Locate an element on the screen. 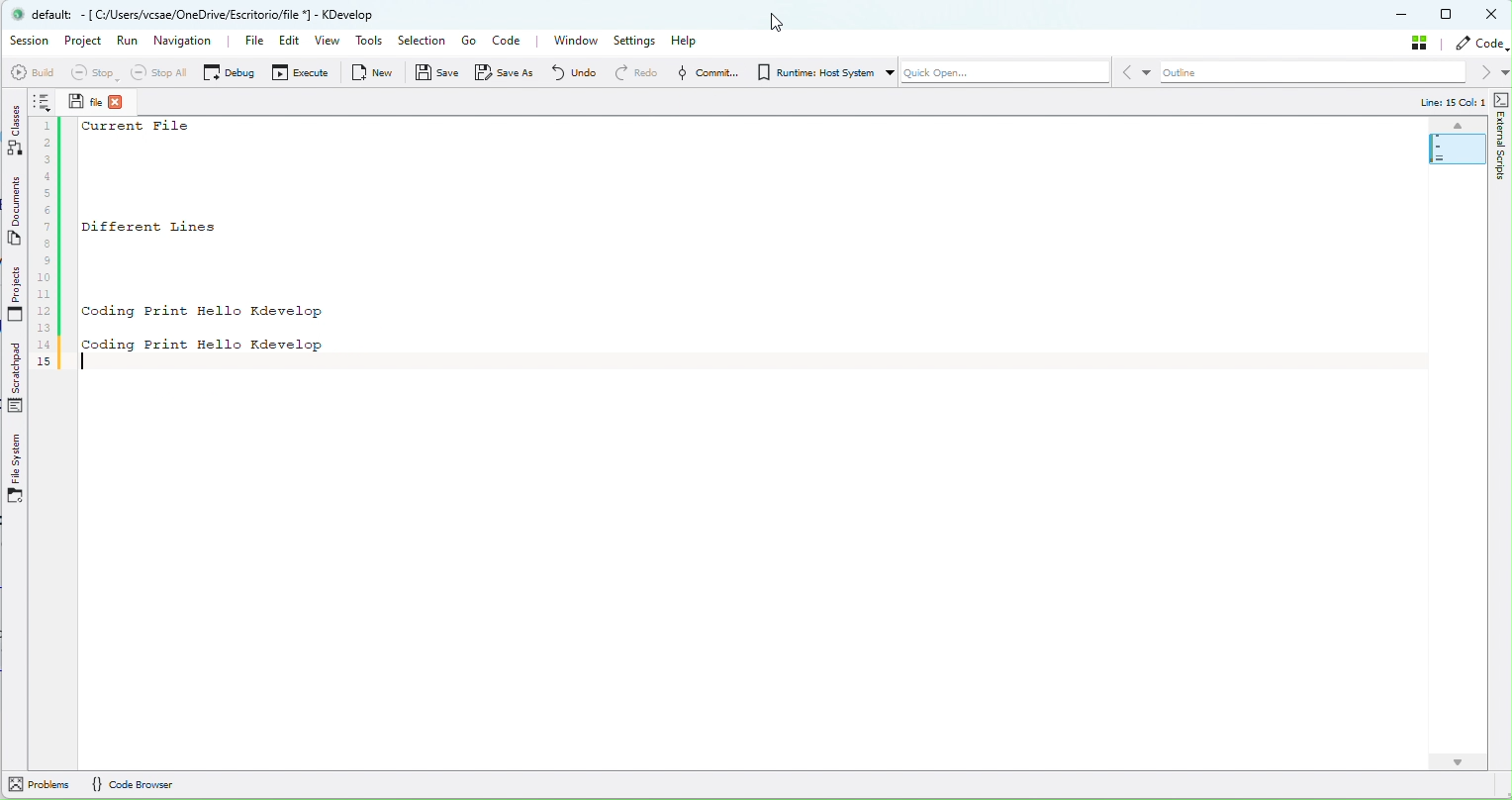  Coding Print Hello Kdevelop is located at coordinates (203, 311).